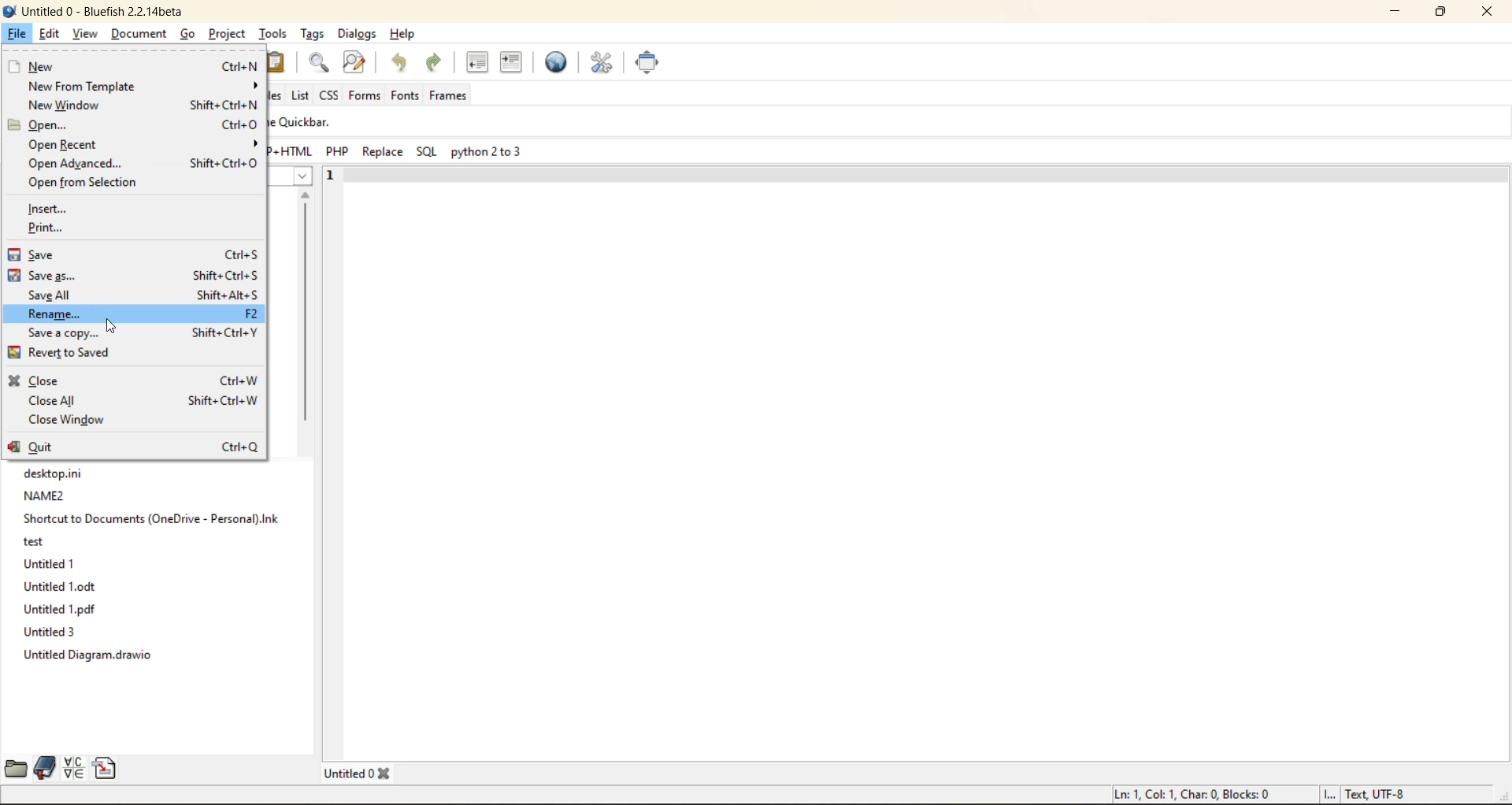 The height and width of the screenshot is (805, 1512). What do you see at coordinates (306, 314) in the screenshot?
I see `scroll bar` at bounding box center [306, 314].